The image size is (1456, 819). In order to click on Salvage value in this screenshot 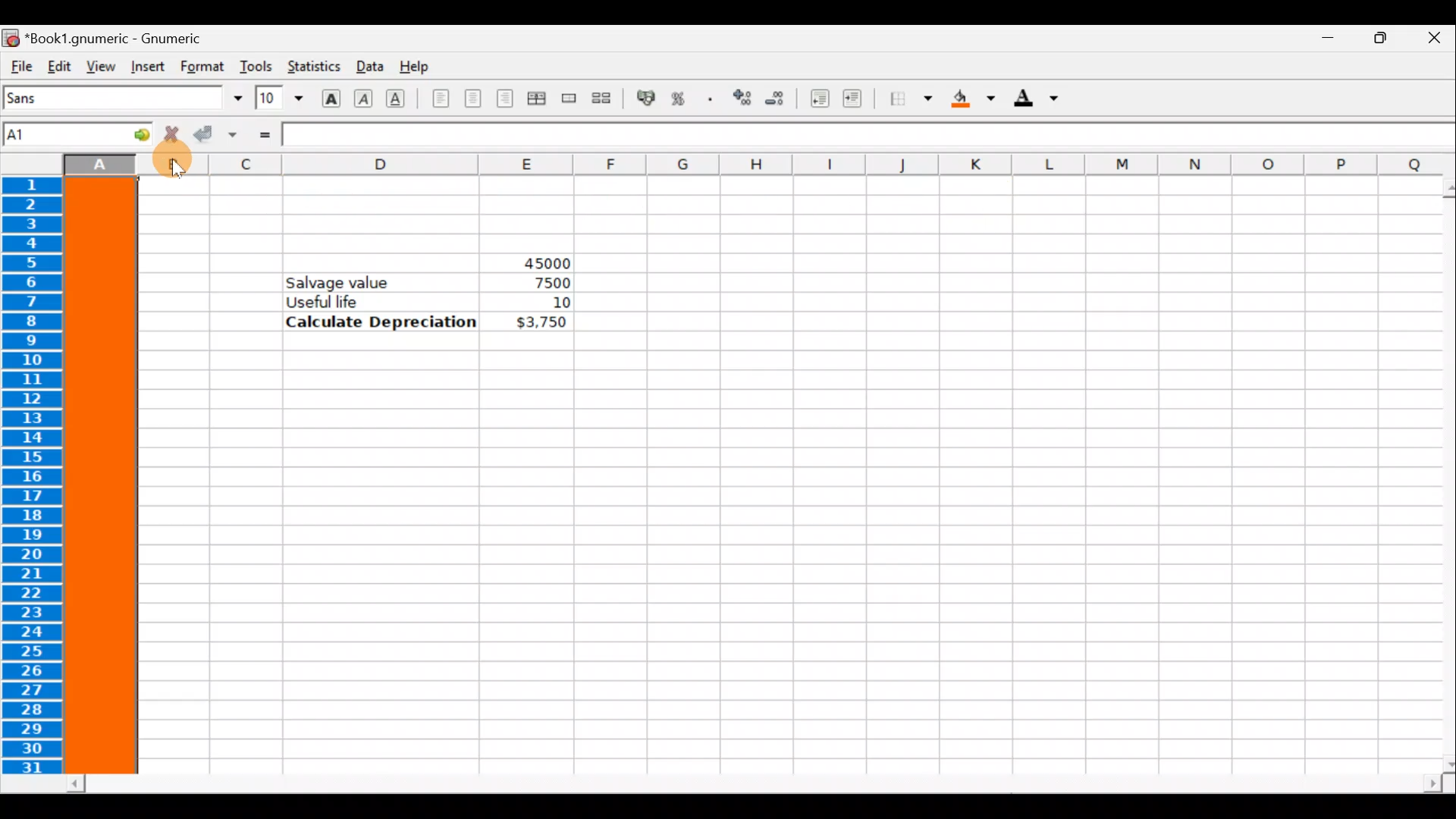, I will do `click(347, 281)`.